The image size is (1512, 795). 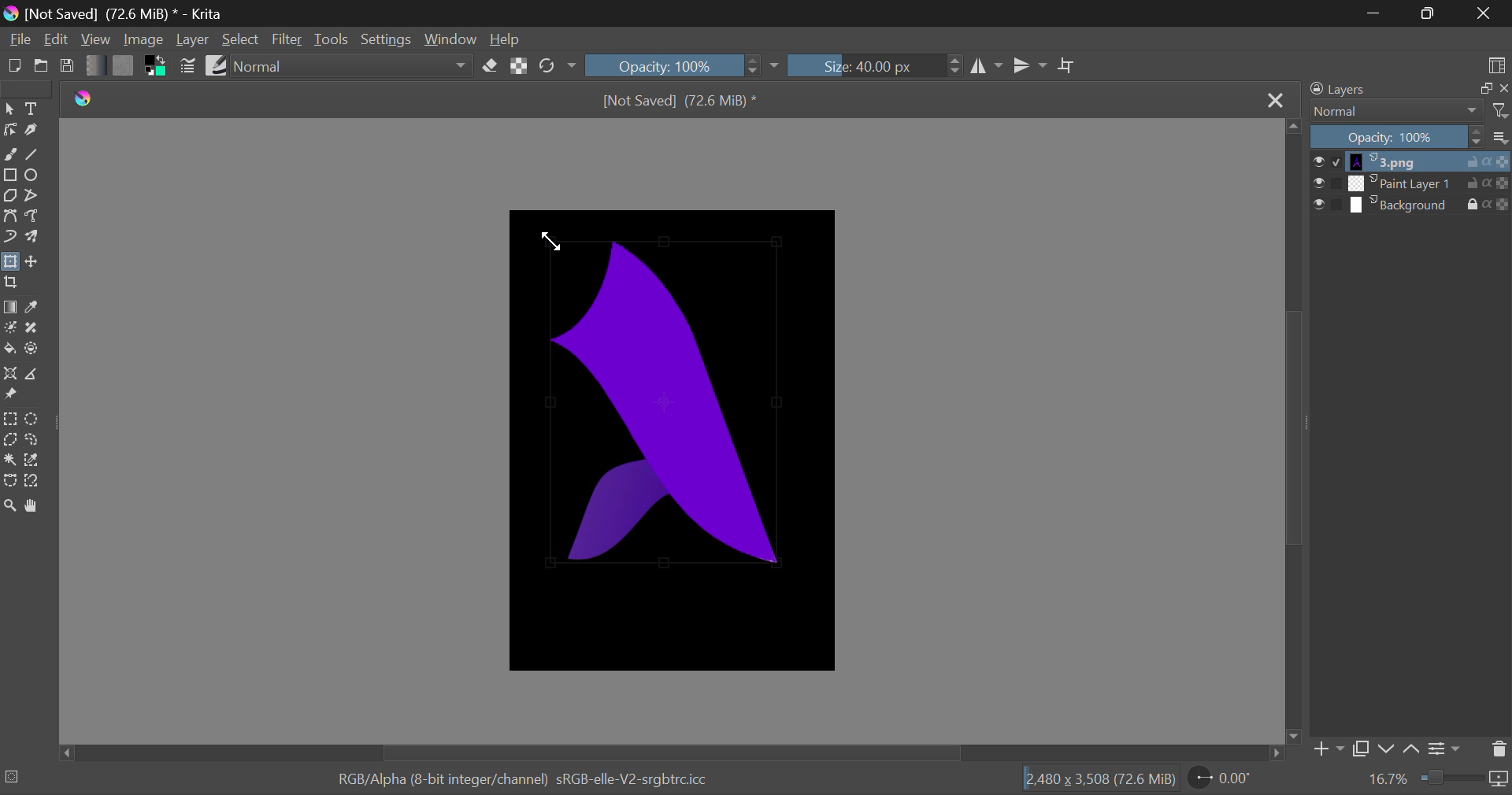 What do you see at coordinates (1411, 749) in the screenshot?
I see `up Movement of Layer` at bounding box center [1411, 749].